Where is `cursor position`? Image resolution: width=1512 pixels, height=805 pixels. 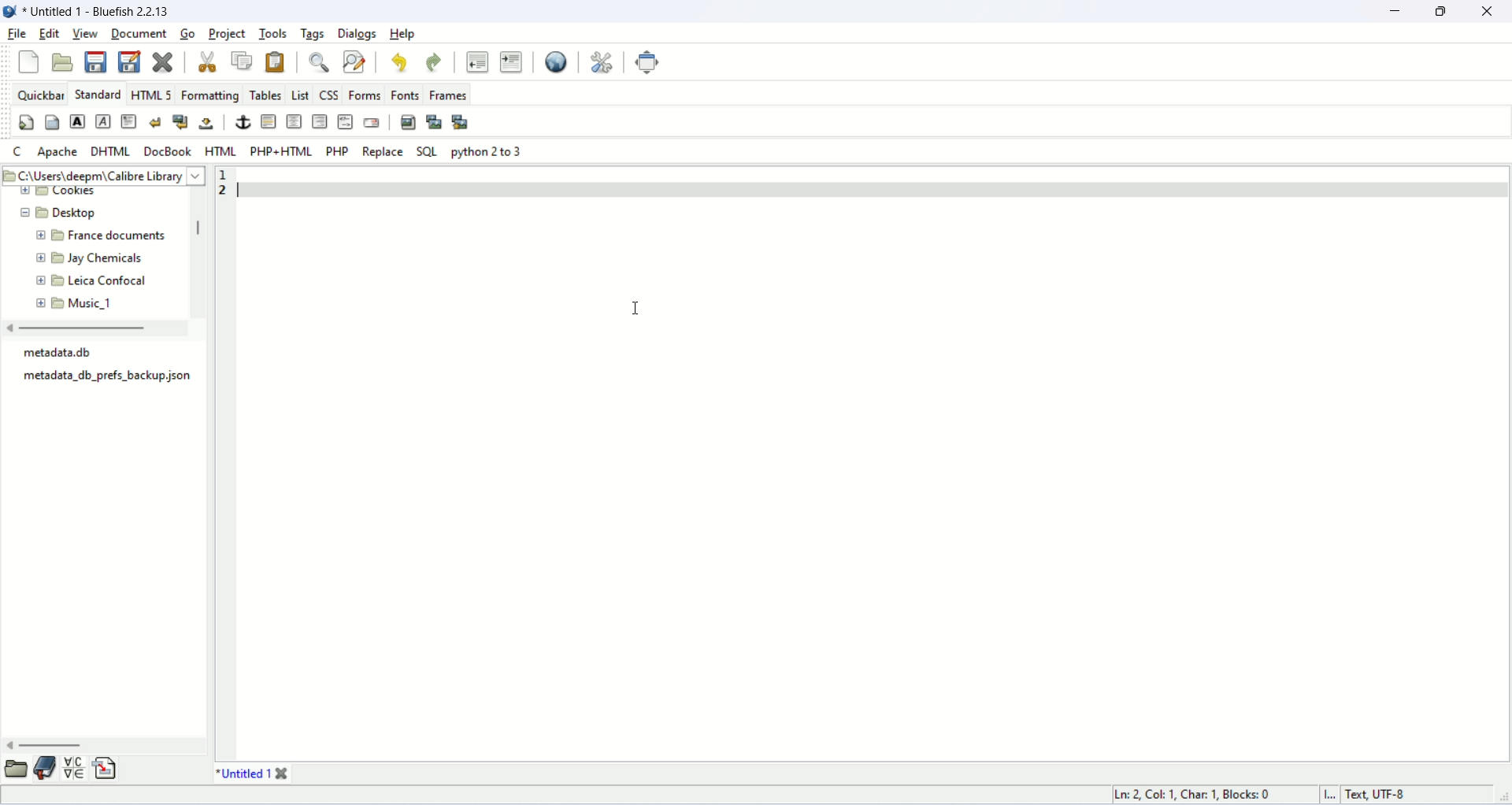 cursor position is located at coordinates (1199, 793).